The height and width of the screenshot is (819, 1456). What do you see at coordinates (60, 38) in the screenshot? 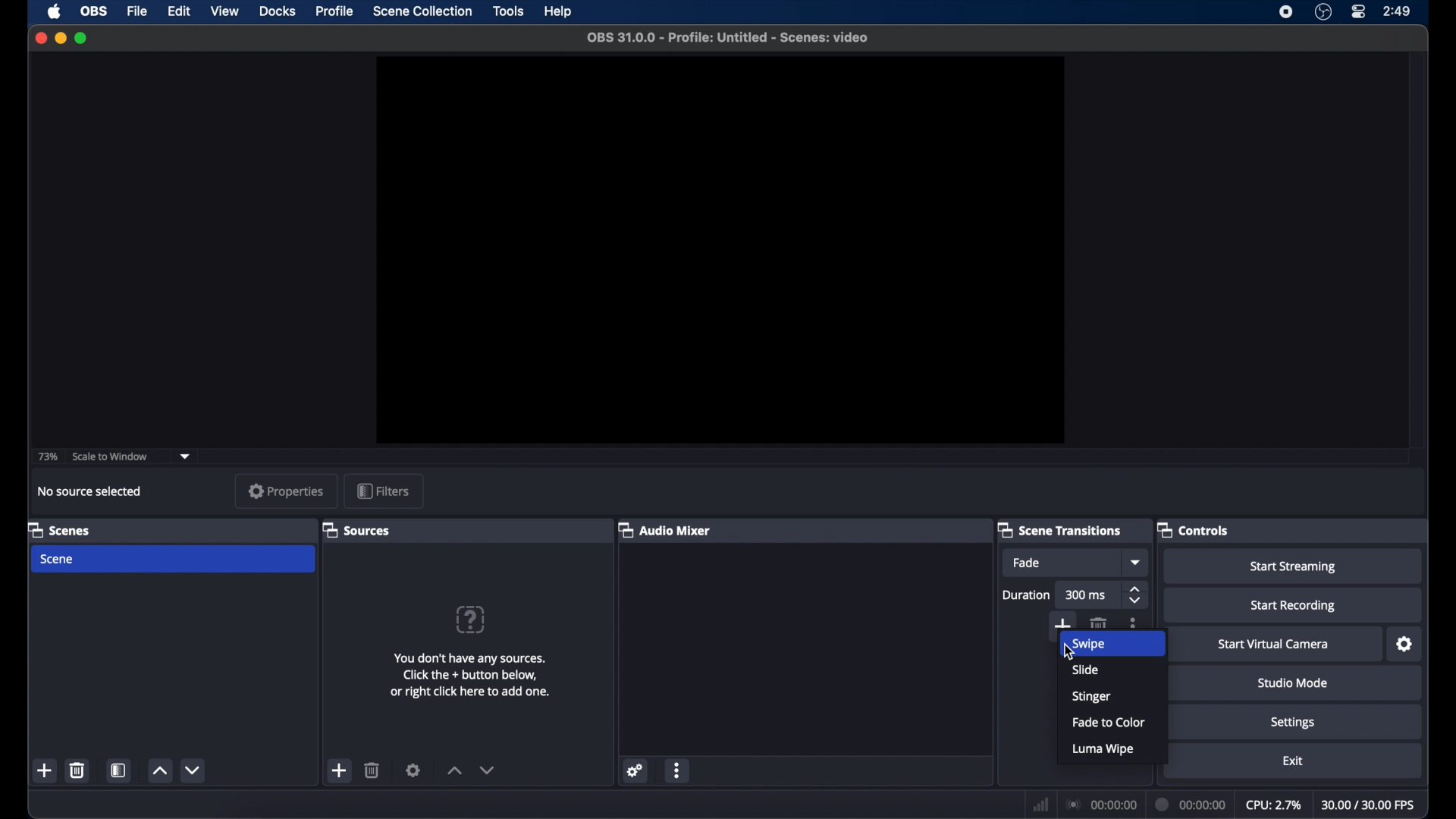
I see `minimize` at bounding box center [60, 38].